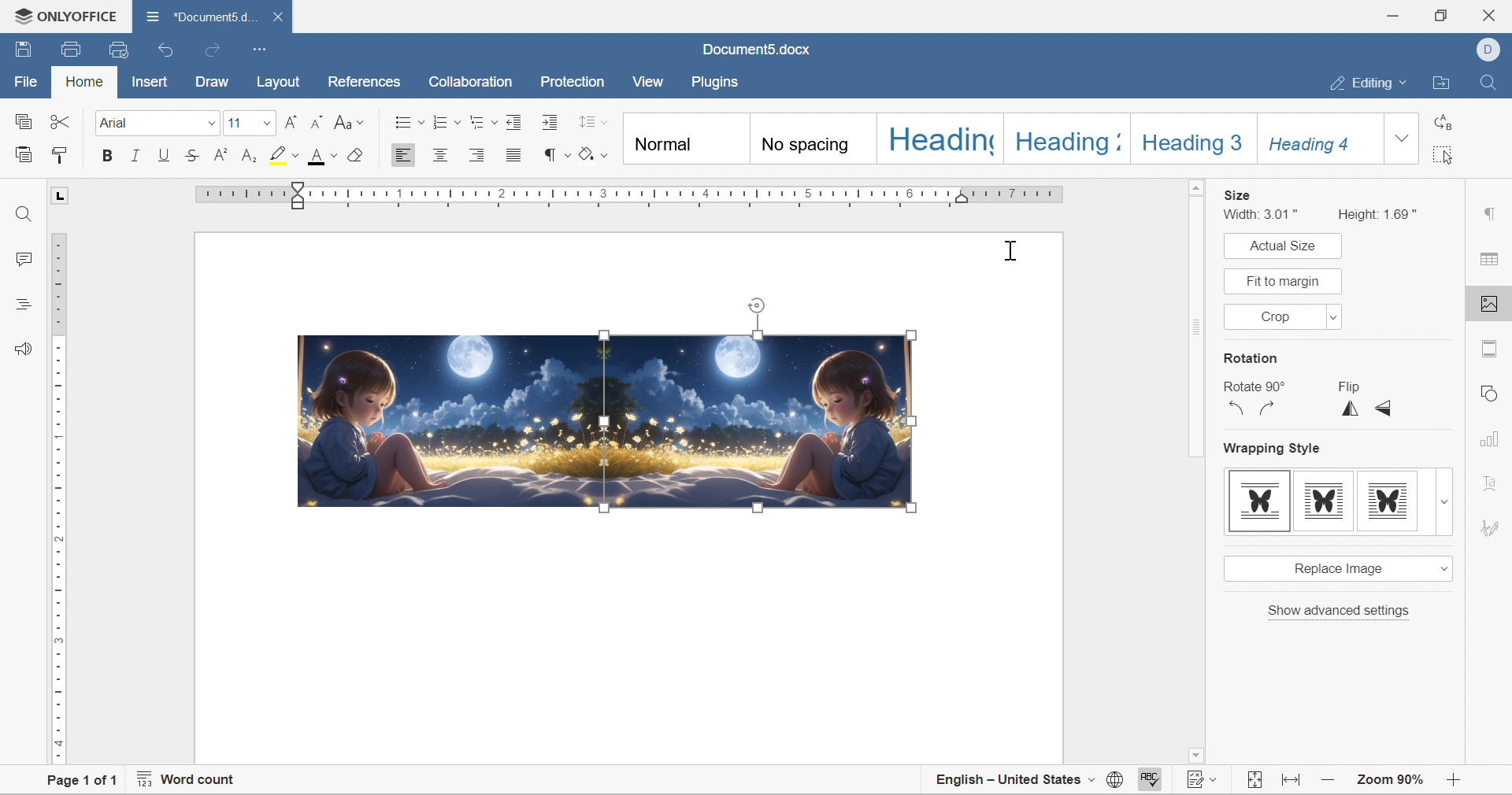 This screenshot has height=795, width=1512. What do you see at coordinates (265, 124) in the screenshot?
I see `drop down` at bounding box center [265, 124].